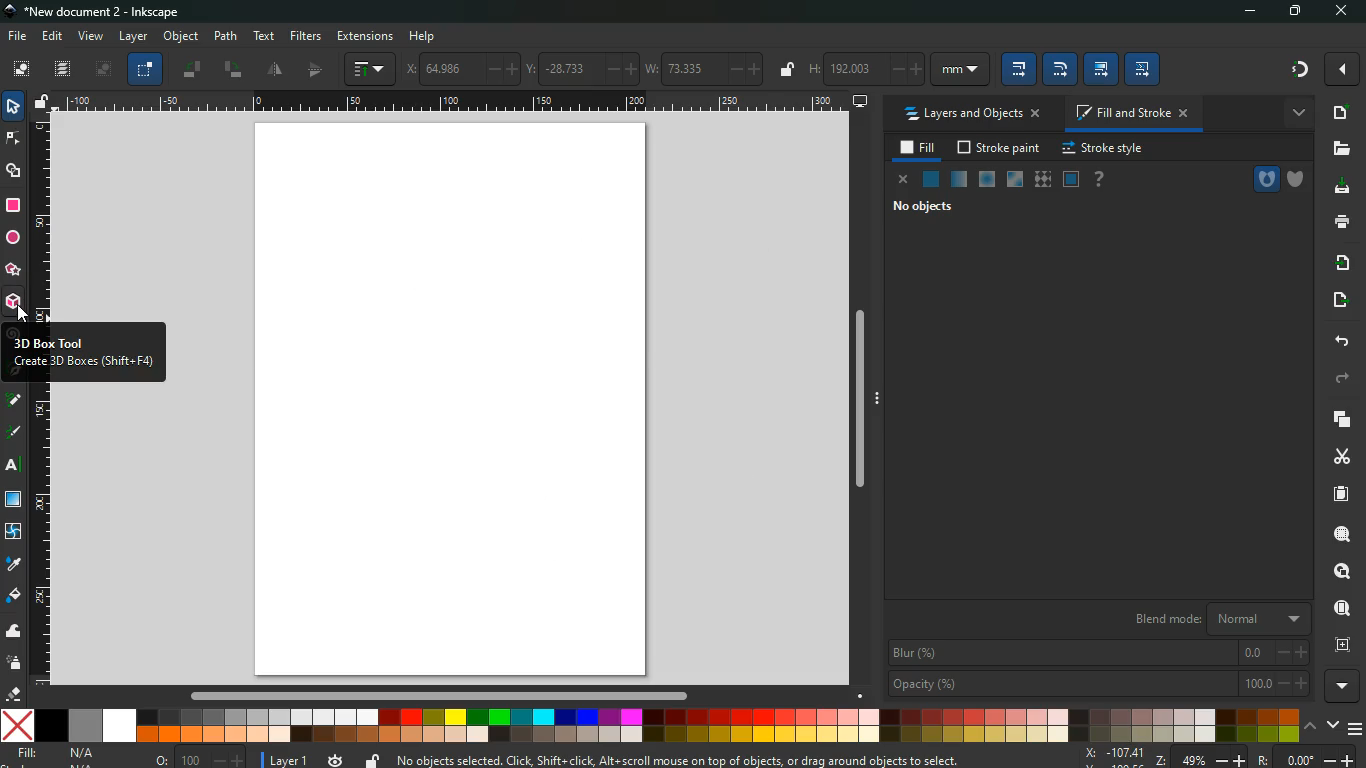 The image size is (1366, 768). Describe the element at coordinates (14, 662) in the screenshot. I see `spray` at that location.